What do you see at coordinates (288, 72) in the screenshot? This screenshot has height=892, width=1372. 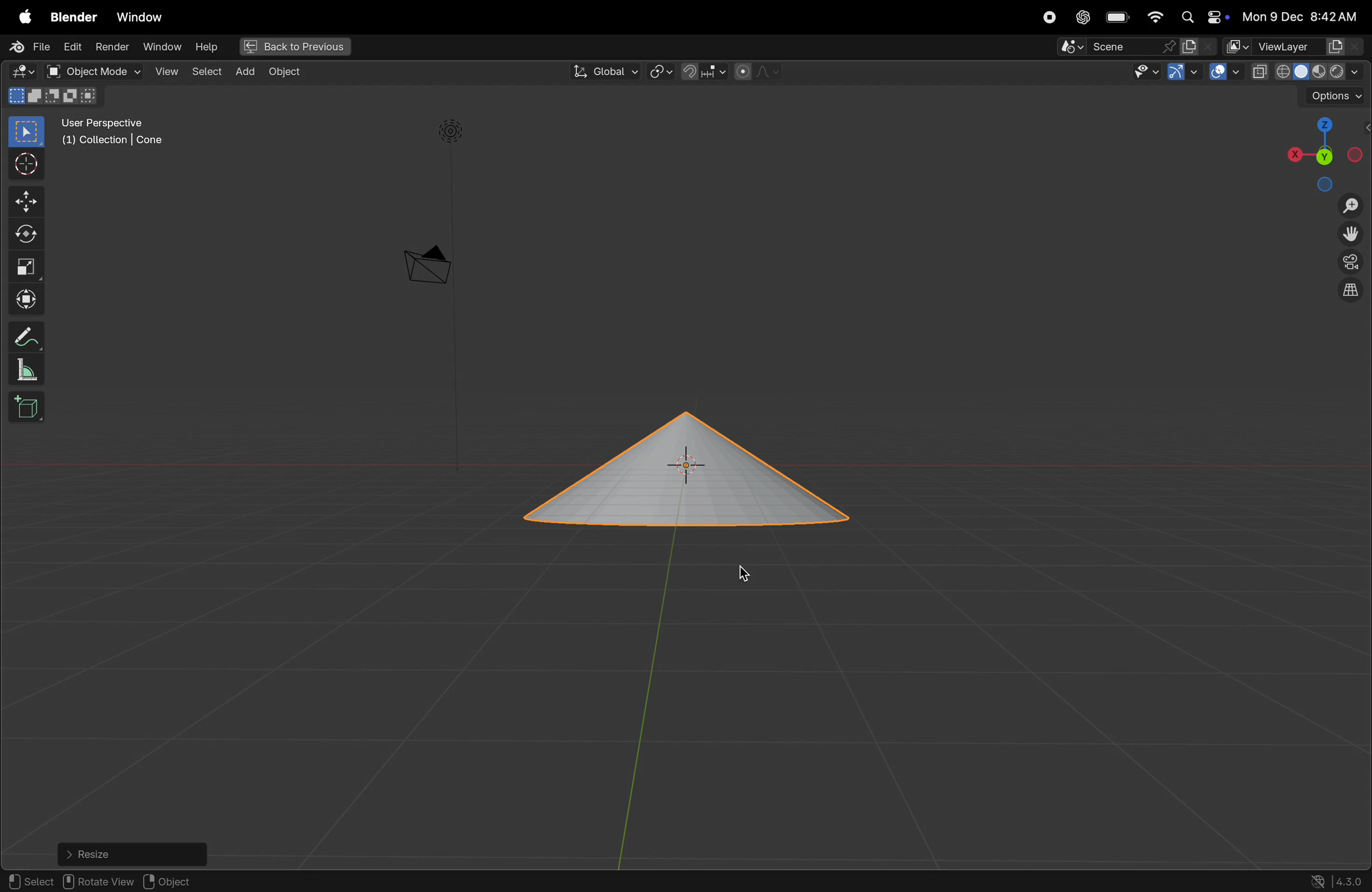 I see `Object` at bounding box center [288, 72].